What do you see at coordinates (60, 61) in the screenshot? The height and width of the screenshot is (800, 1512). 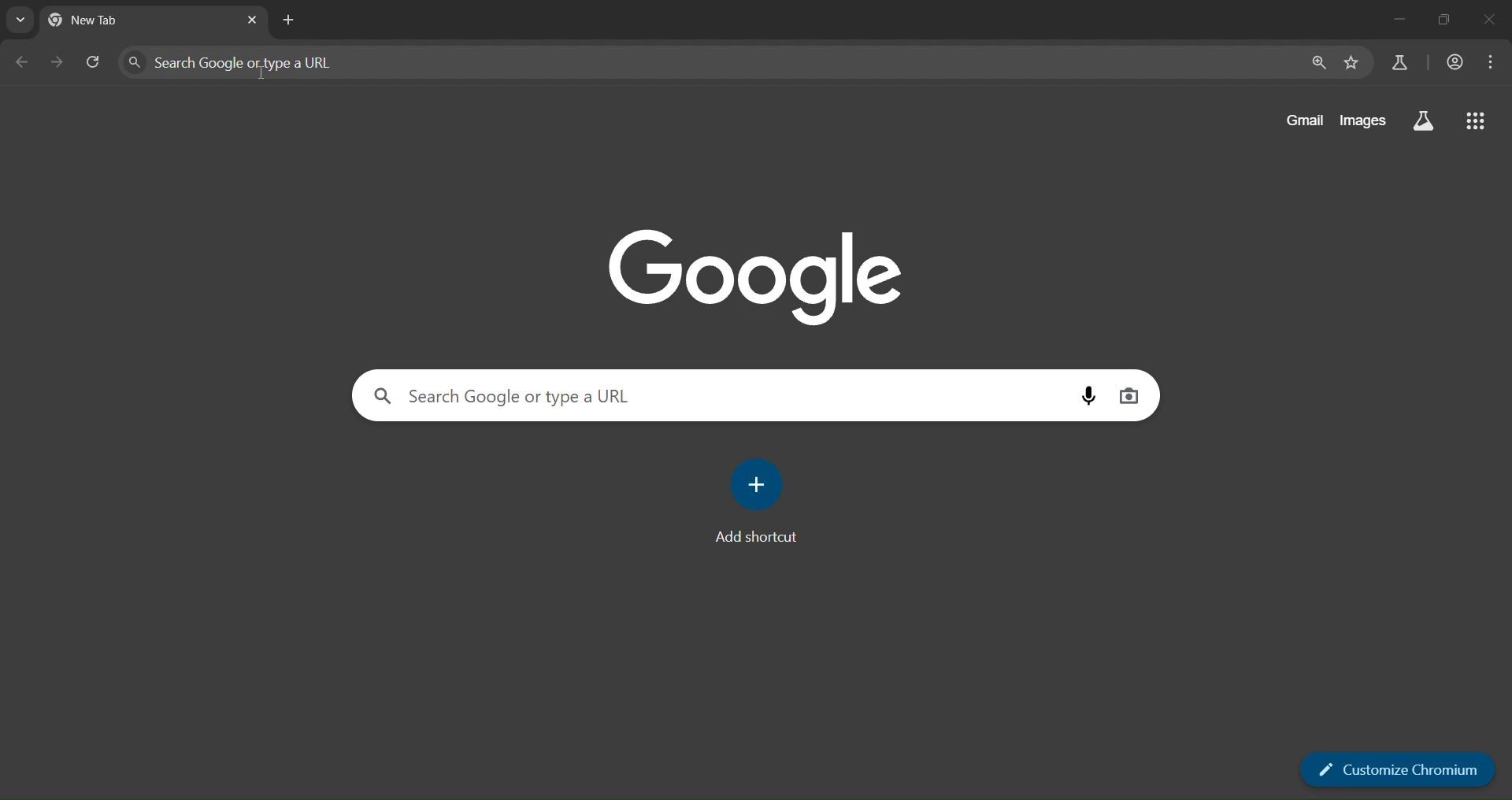 I see `go back one page` at bounding box center [60, 61].